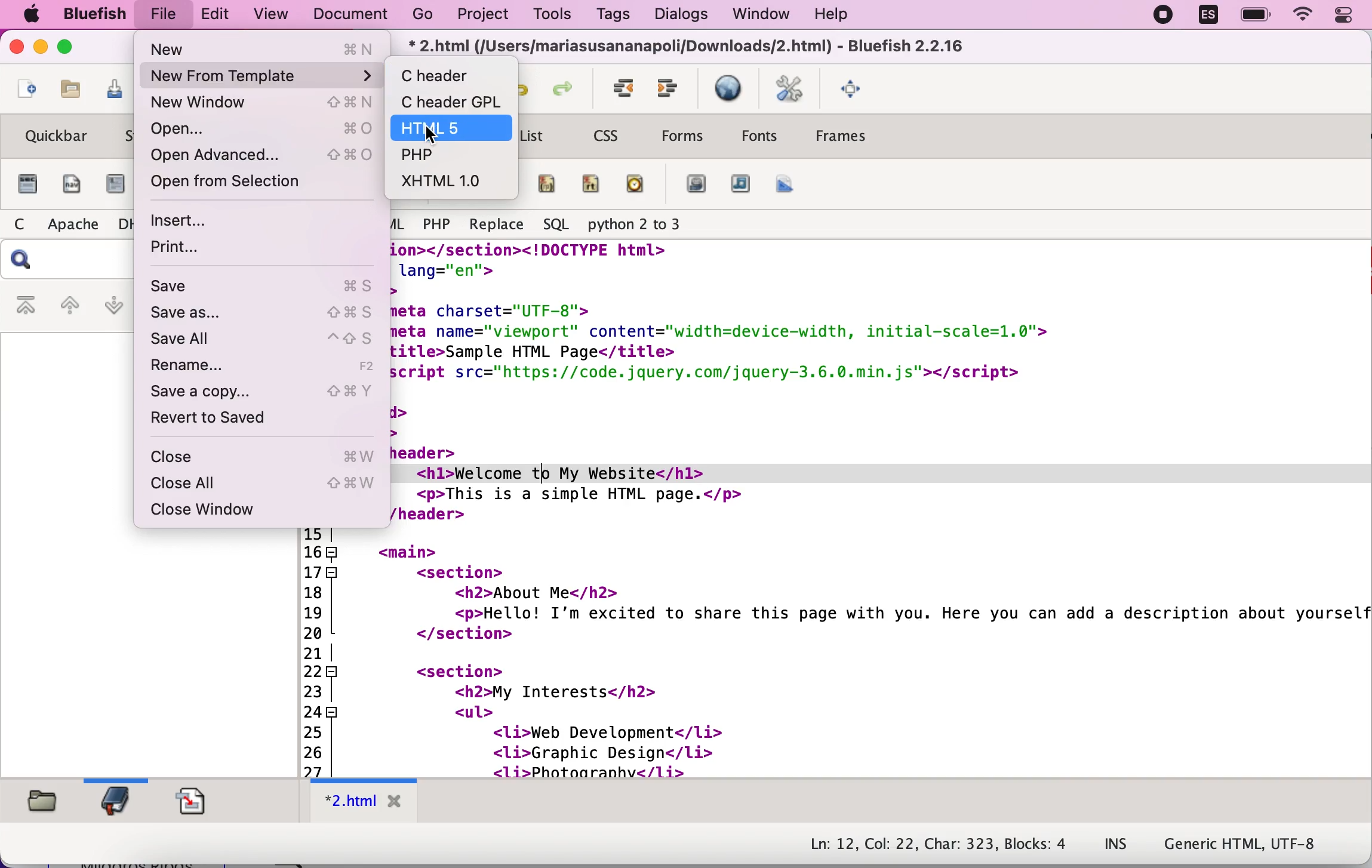  Describe the element at coordinates (637, 186) in the screenshot. I see `time` at that location.